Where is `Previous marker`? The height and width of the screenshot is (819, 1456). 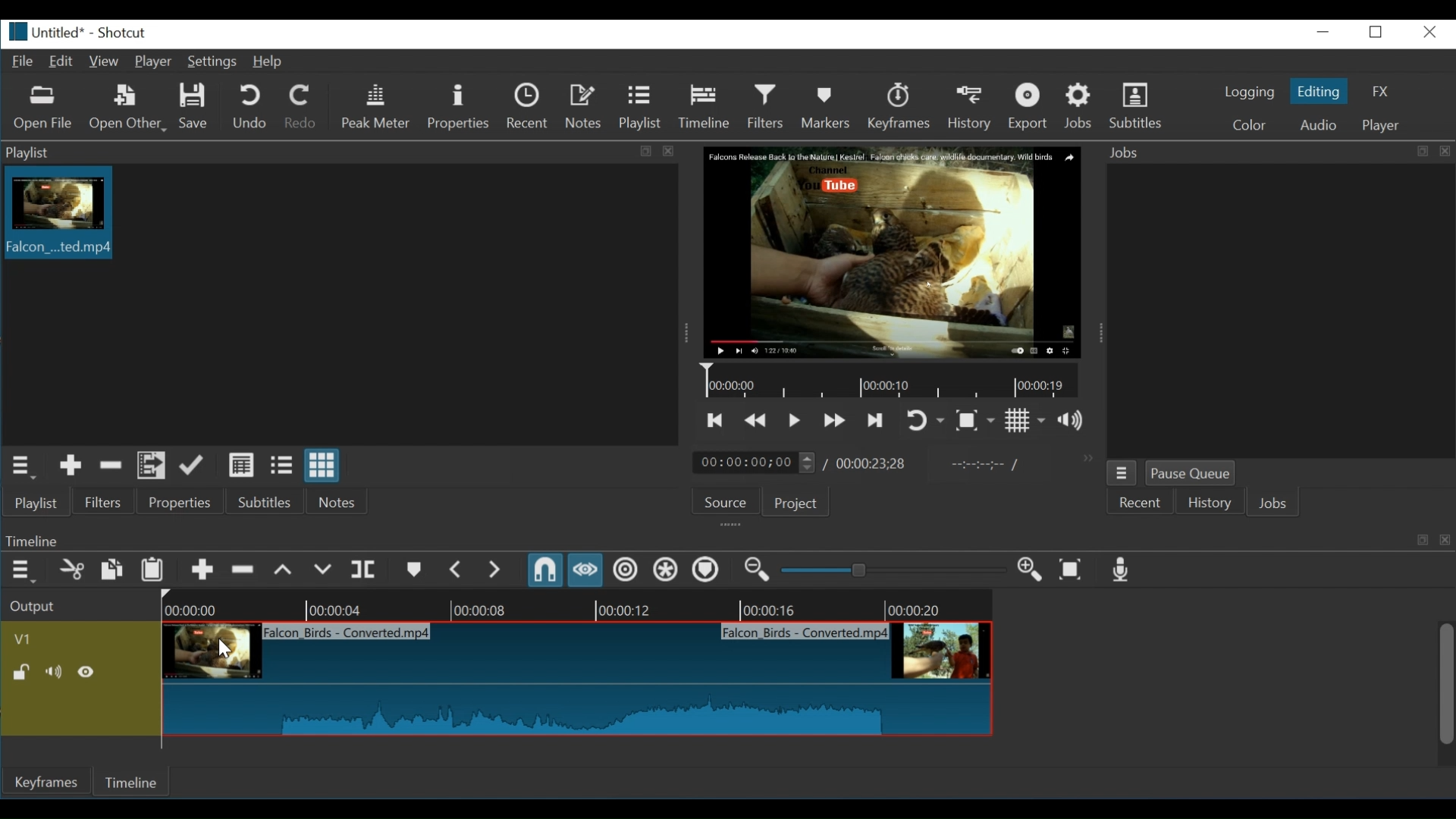
Previous marker is located at coordinates (458, 570).